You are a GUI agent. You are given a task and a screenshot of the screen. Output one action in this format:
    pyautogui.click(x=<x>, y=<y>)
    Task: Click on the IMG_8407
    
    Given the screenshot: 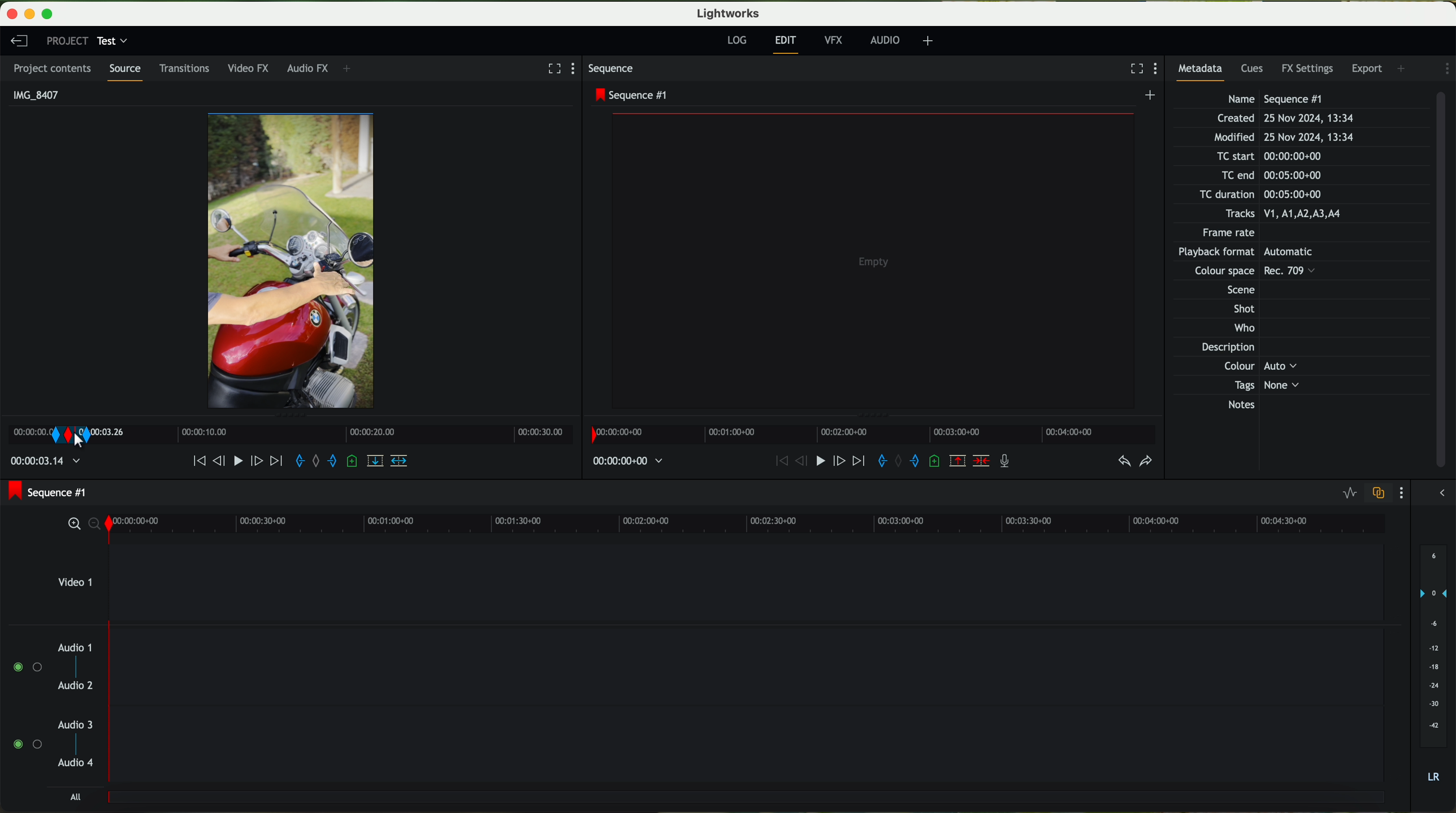 What is the action you would take?
    pyautogui.click(x=33, y=94)
    